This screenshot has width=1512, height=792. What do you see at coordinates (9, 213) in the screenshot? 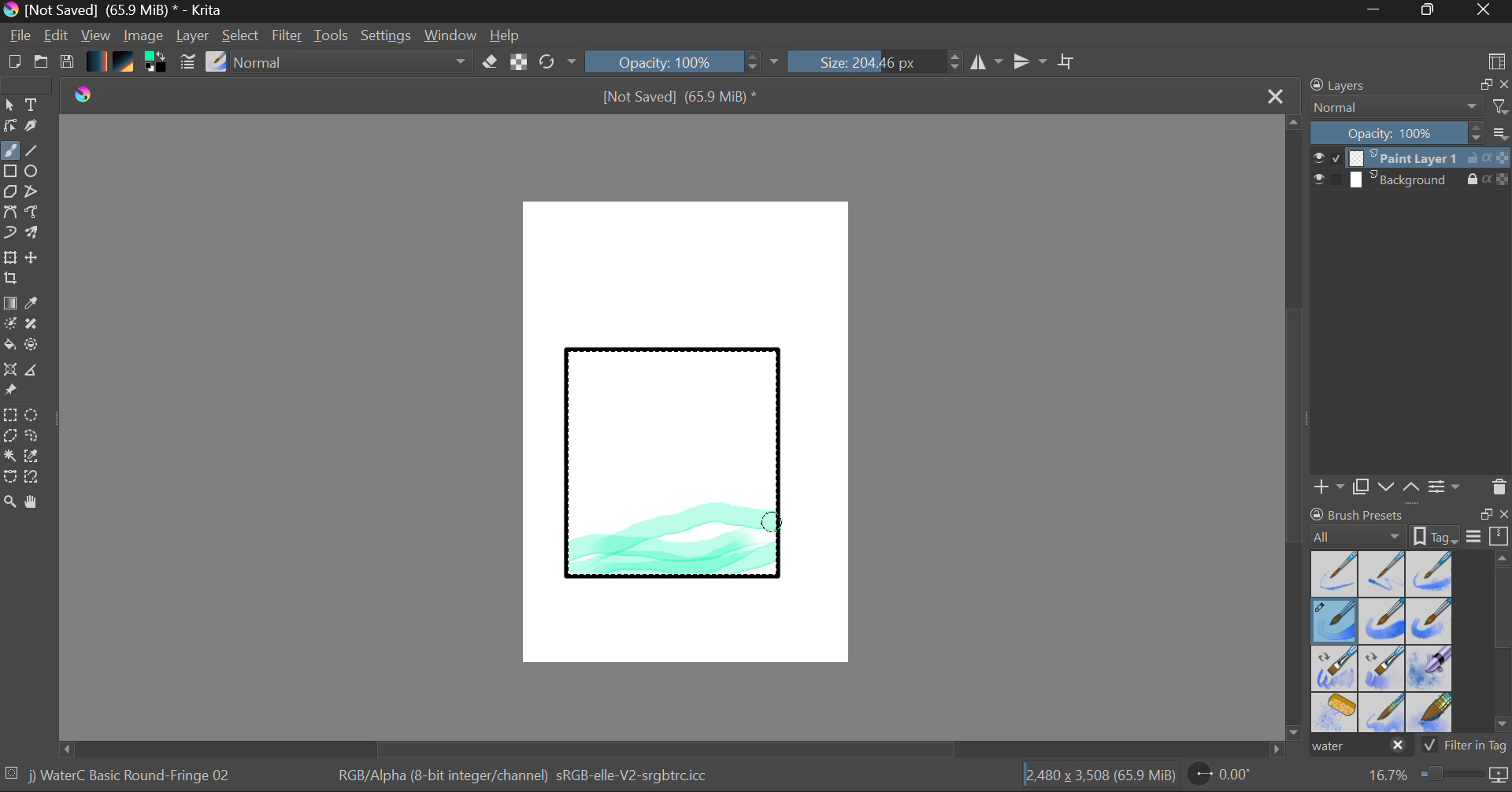
I see `Bezier Curve` at bounding box center [9, 213].